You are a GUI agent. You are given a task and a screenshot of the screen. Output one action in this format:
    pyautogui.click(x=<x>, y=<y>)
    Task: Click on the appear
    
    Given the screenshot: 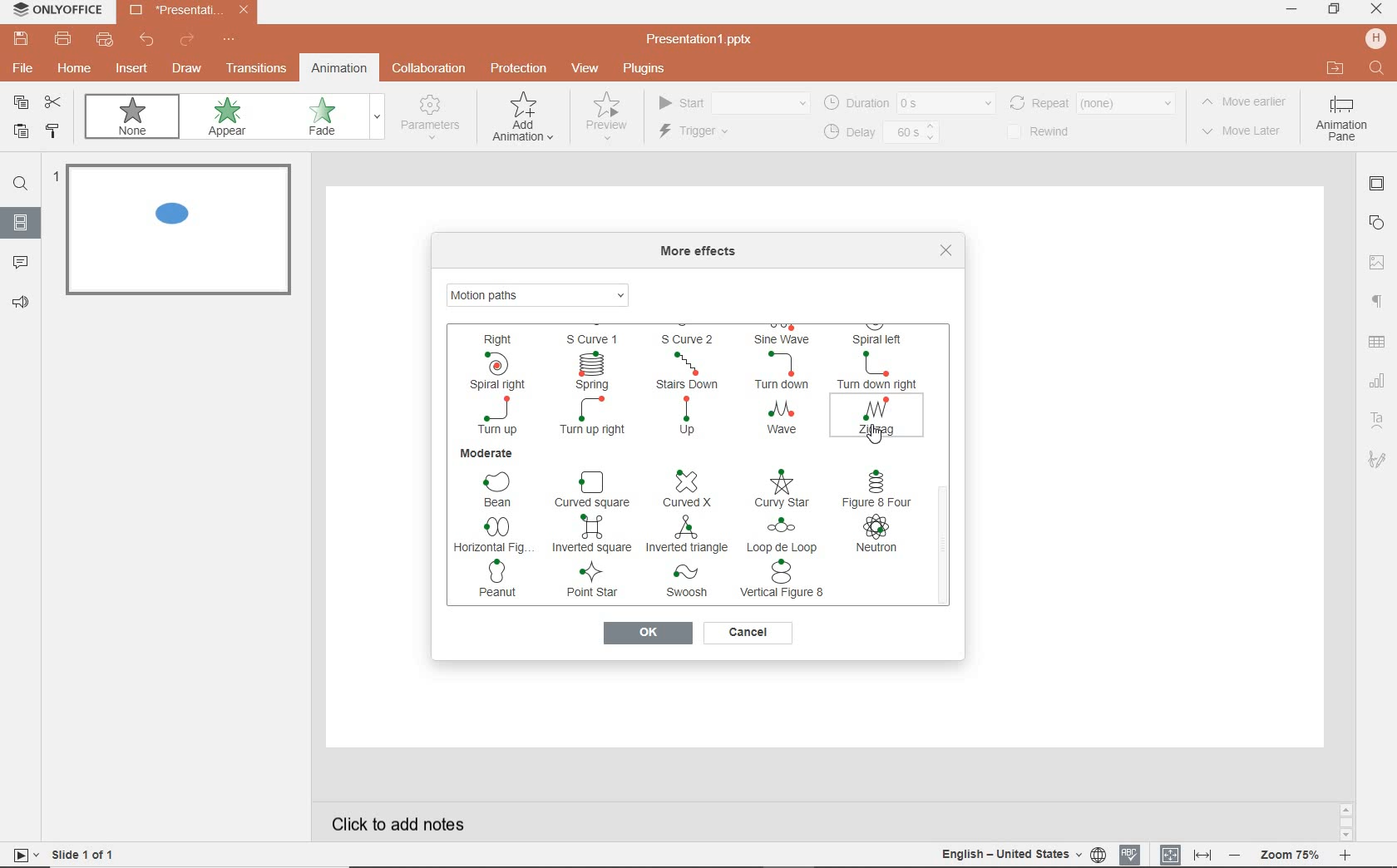 What is the action you would take?
    pyautogui.click(x=230, y=119)
    